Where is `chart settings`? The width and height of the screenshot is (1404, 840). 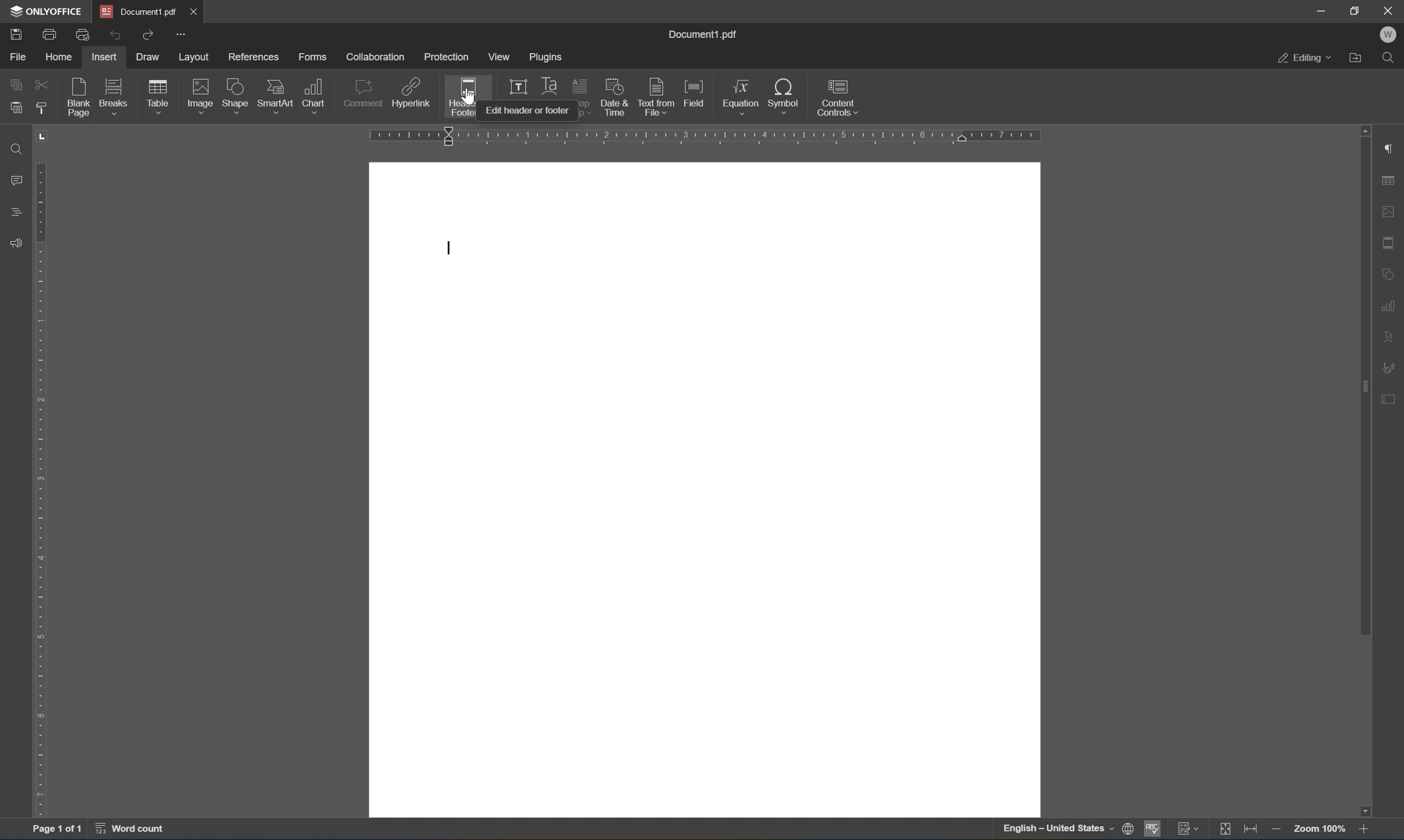 chart settings is located at coordinates (1389, 303).